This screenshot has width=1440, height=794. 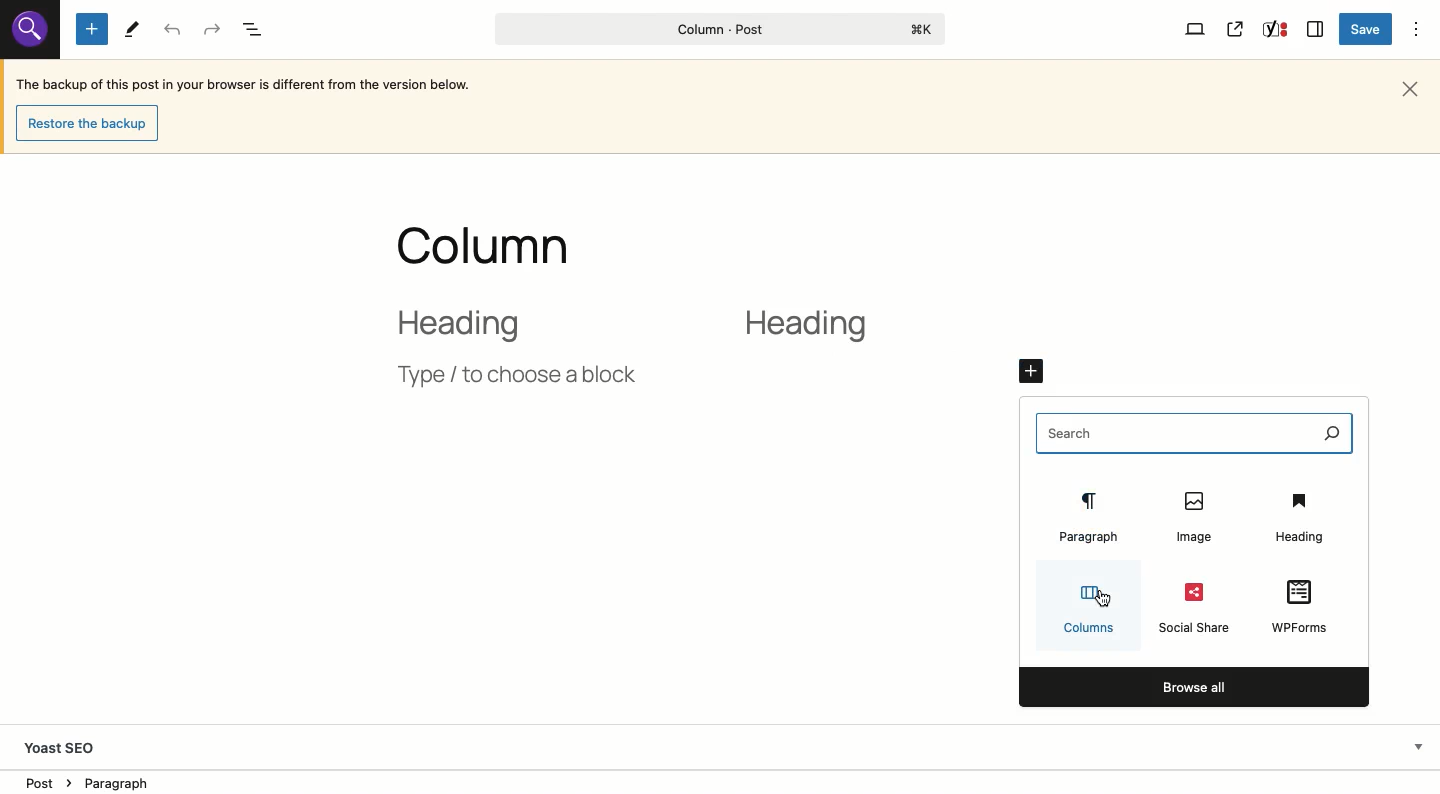 What do you see at coordinates (1316, 27) in the screenshot?
I see `Sidebar` at bounding box center [1316, 27].